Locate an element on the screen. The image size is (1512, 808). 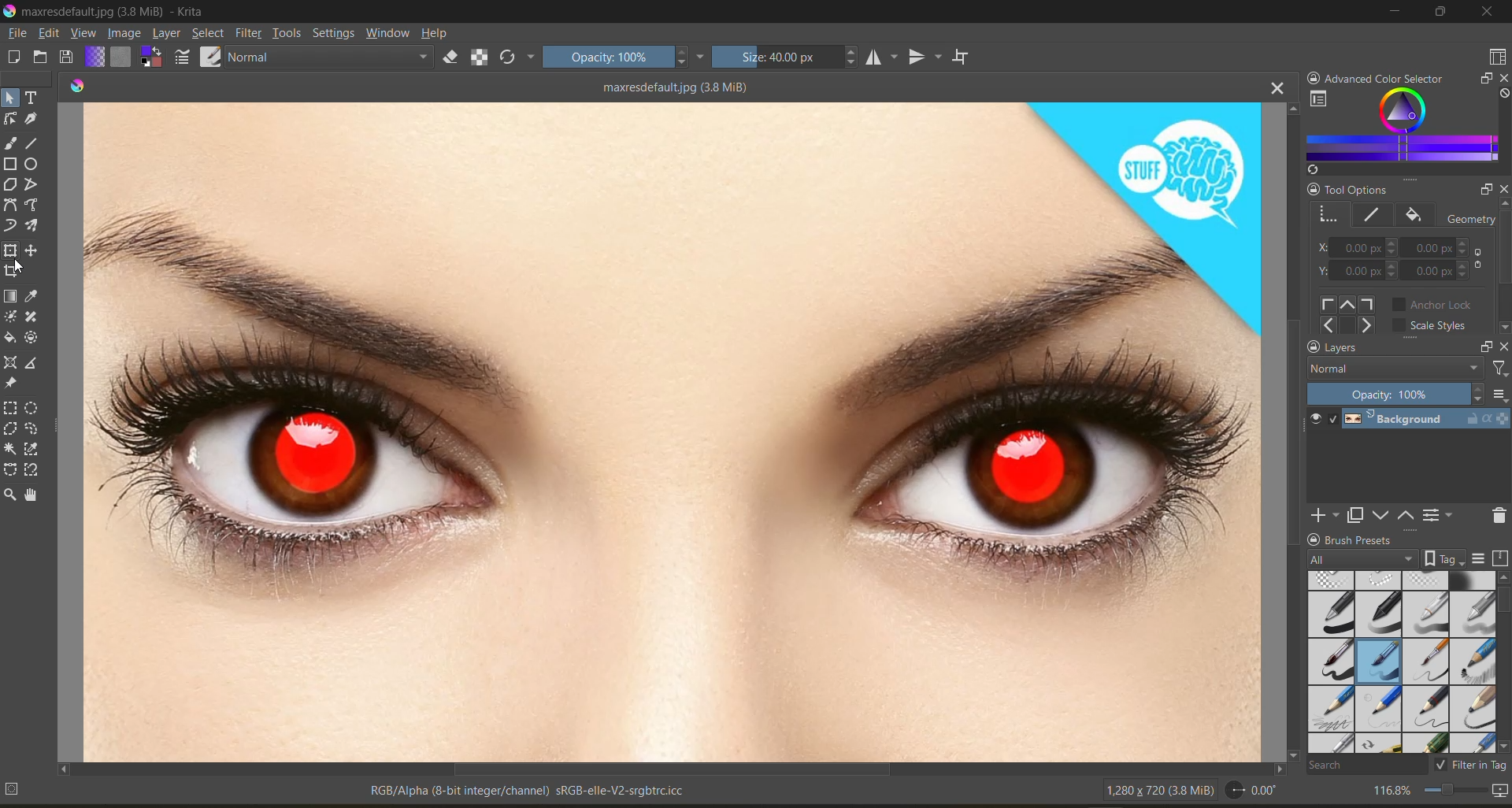
search is located at coordinates (1369, 766).